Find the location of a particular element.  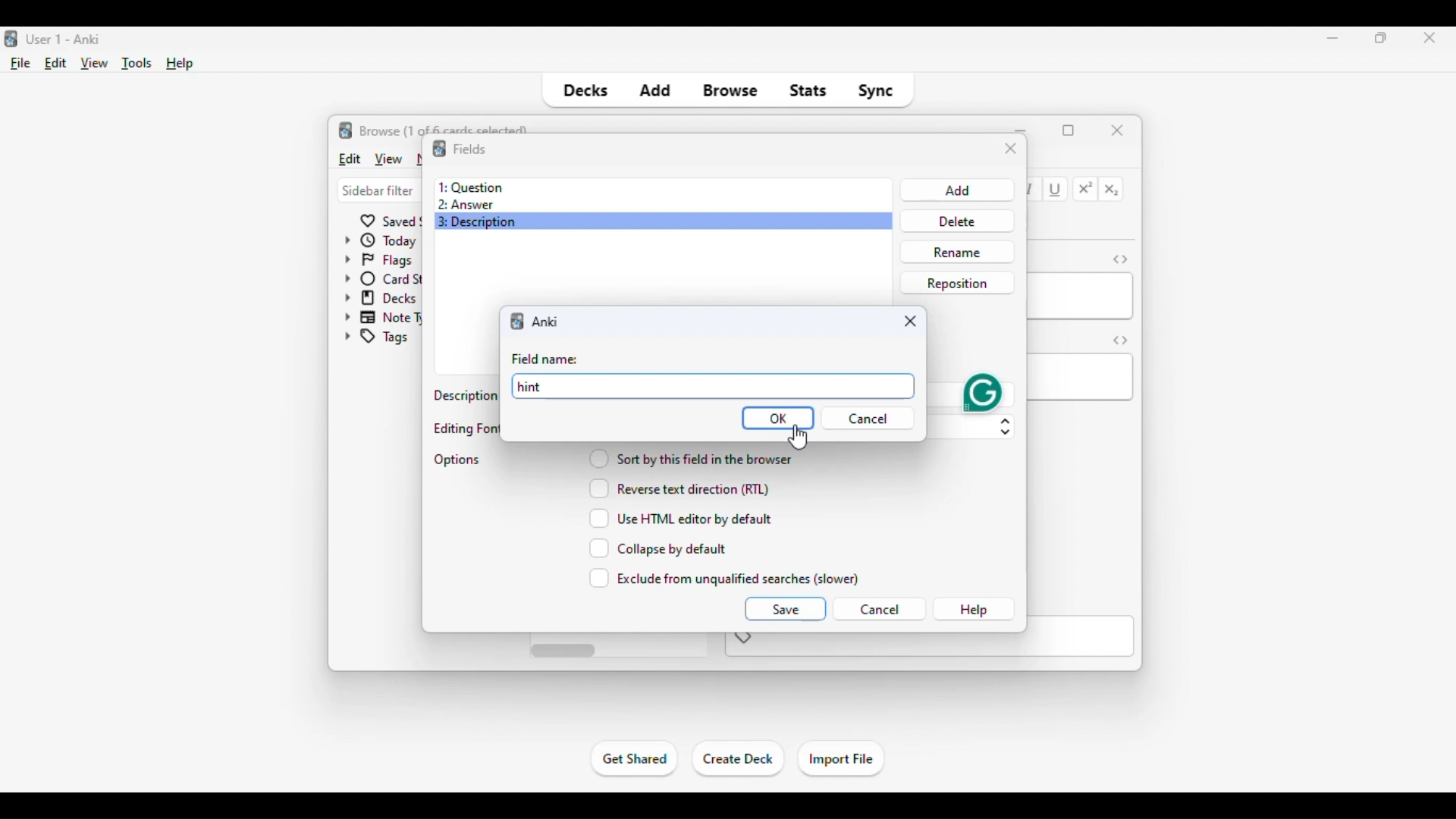

hint is located at coordinates (716, 388).